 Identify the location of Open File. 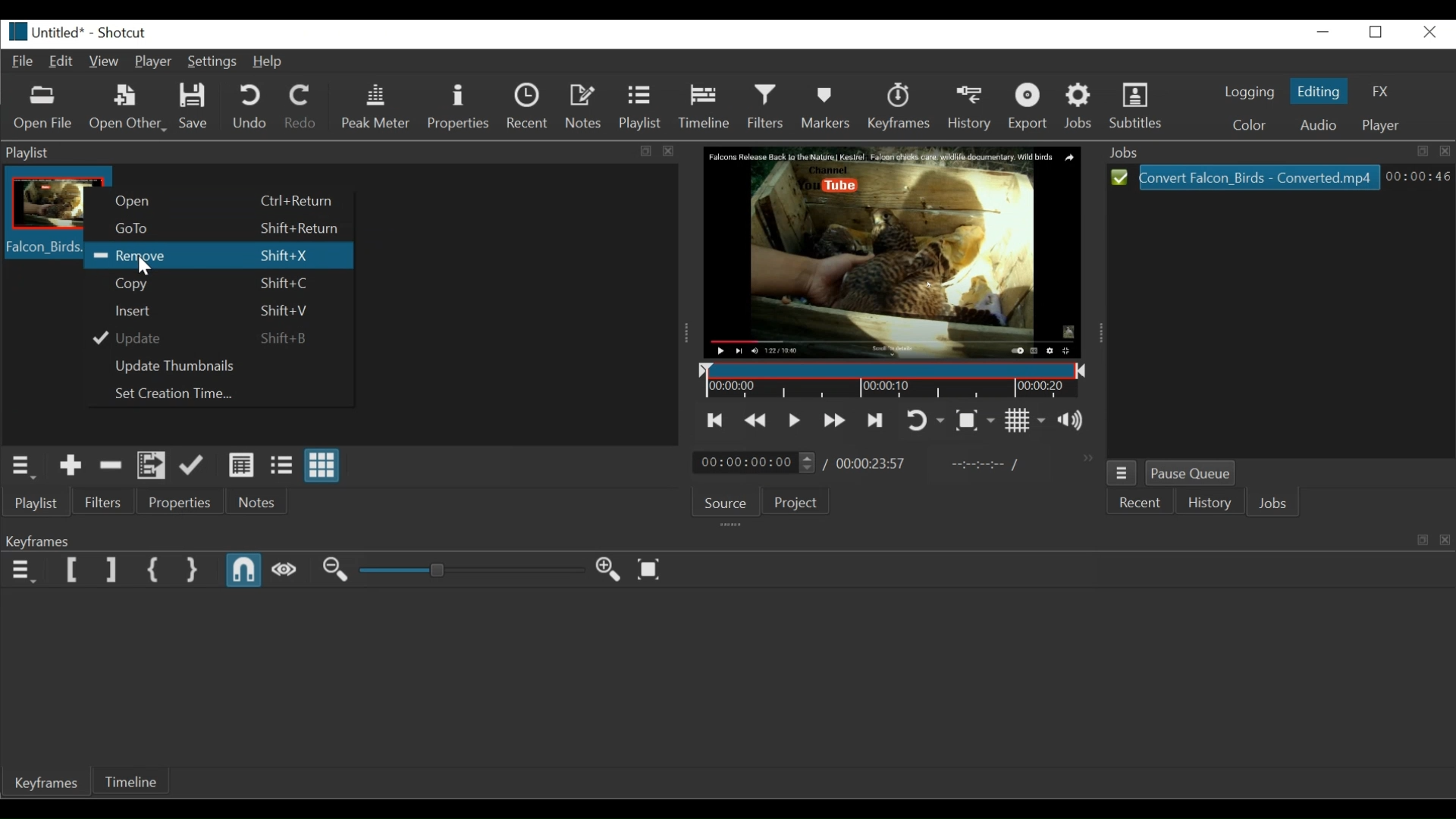
(42, 108).